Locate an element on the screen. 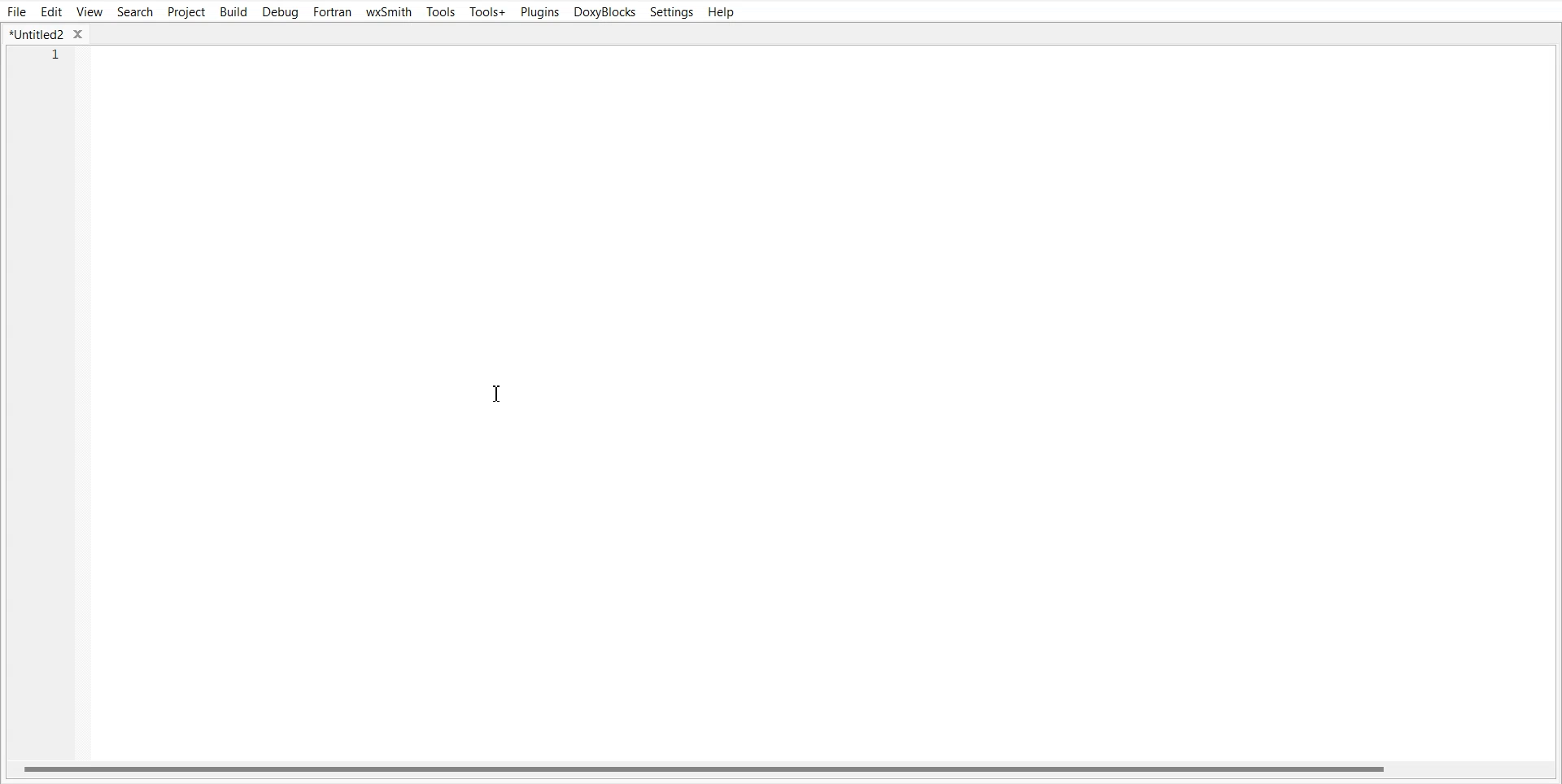 The width and height of the screenshot is (1562, 784). Edit is located at coordinates (52, 11).